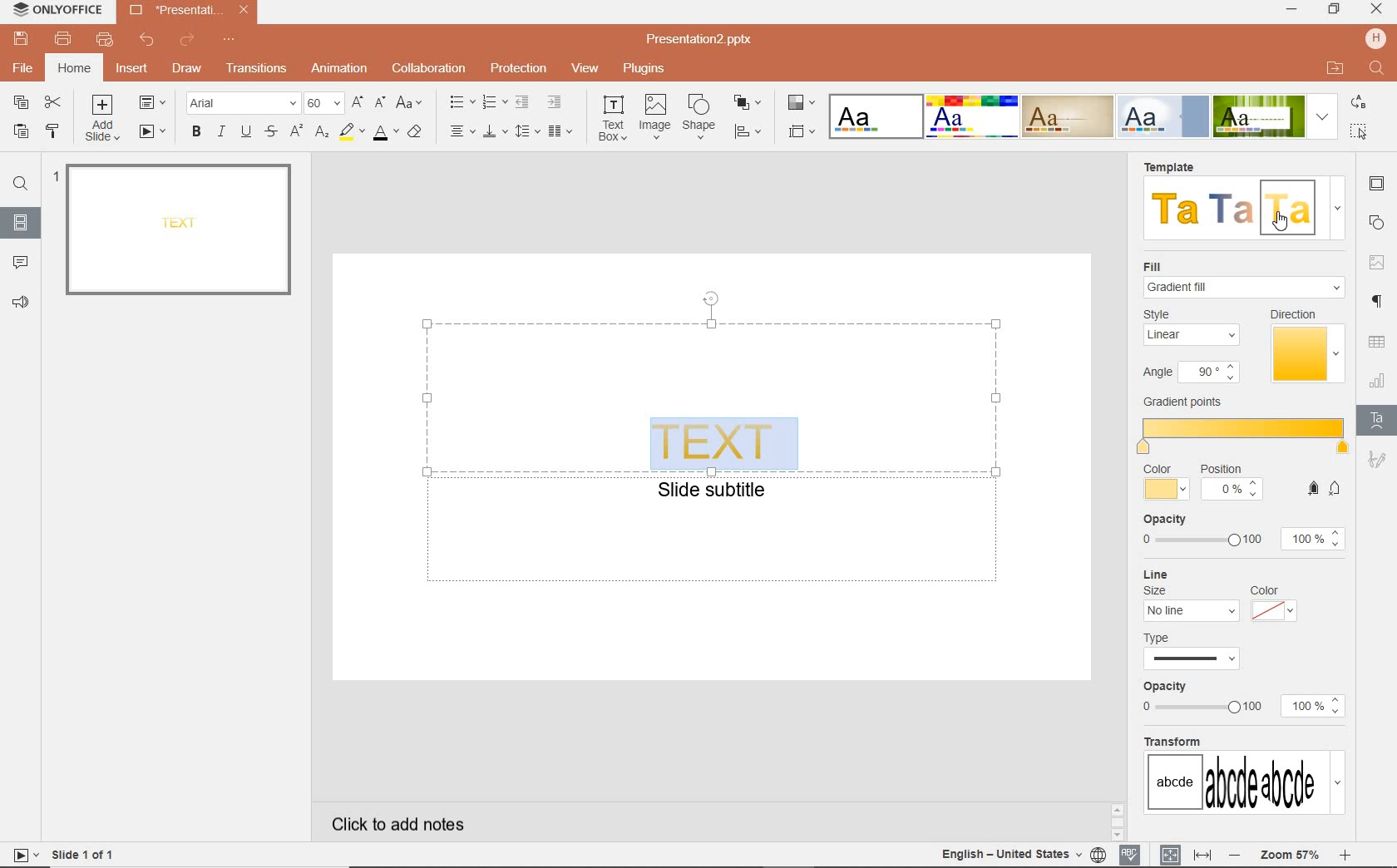  Describe the element at coordinates (1376, 225) in the screenshot. I see `SHAPE SETTINGS` at that location.